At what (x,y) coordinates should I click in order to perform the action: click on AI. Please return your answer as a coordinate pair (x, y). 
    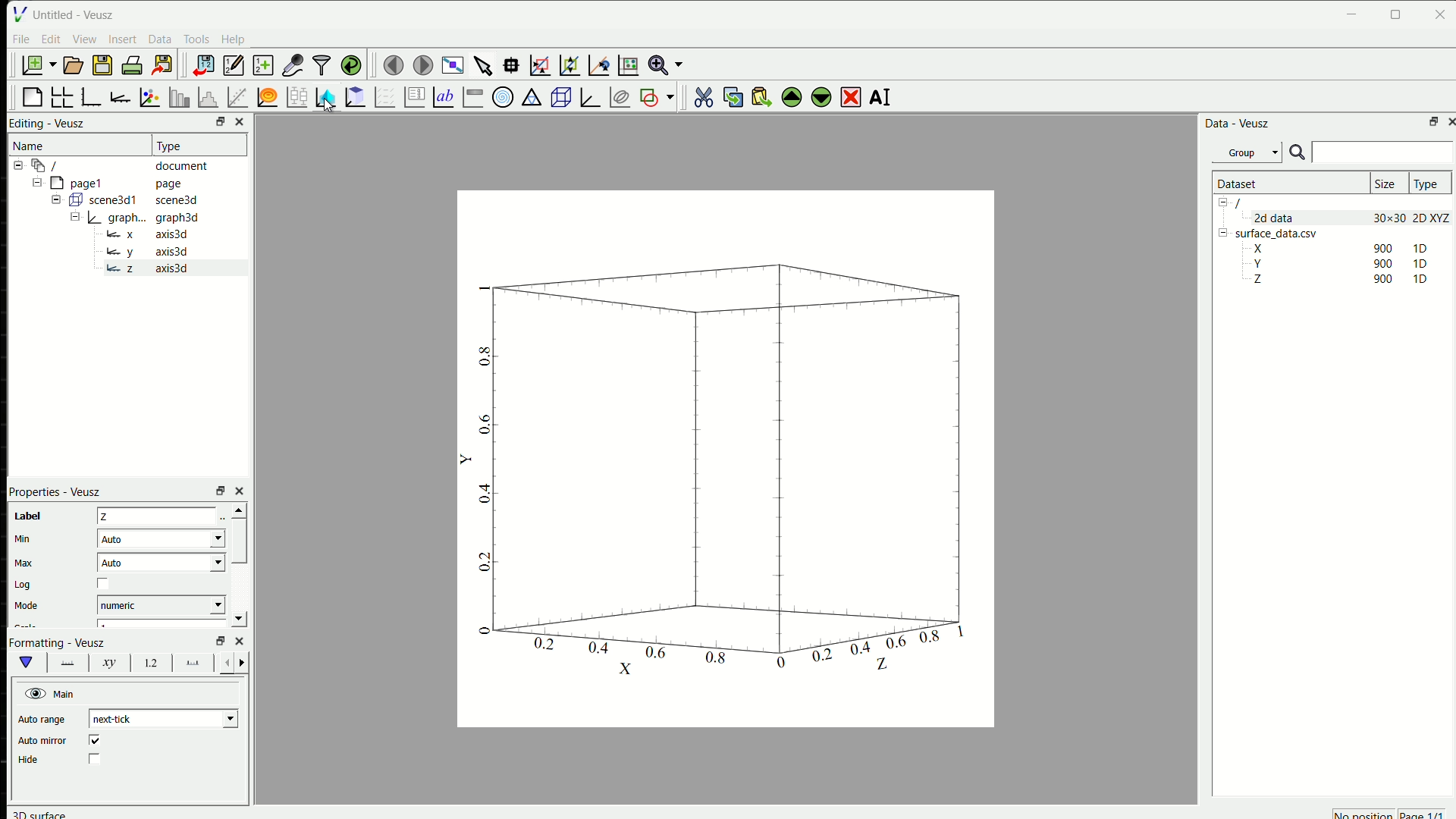
    Looking at the image, I should click on (880, 98).